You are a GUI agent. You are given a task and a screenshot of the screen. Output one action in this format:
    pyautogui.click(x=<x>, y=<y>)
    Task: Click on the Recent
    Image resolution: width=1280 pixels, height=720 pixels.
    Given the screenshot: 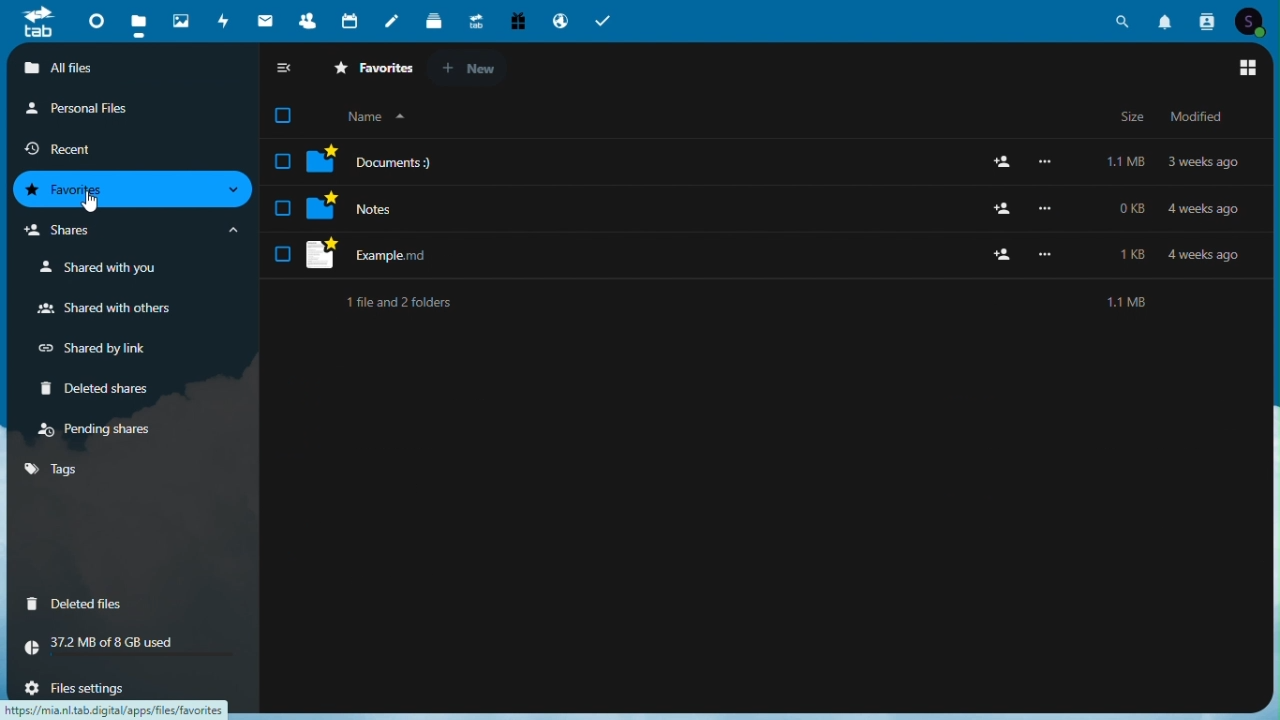 What is the action you would take?
    pyautogui.click(x=60, y=148)
    